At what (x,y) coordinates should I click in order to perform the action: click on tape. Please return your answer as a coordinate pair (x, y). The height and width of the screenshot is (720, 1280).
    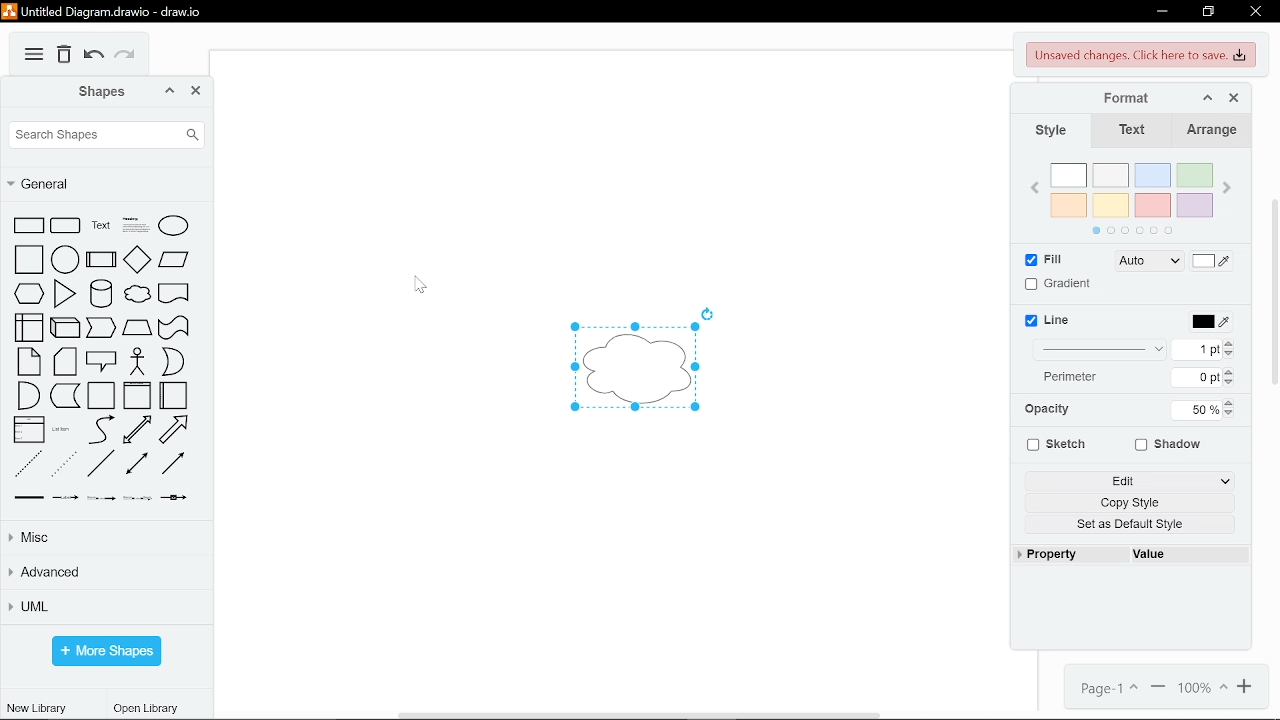
    Looking at the image, I should click on (174, 328).